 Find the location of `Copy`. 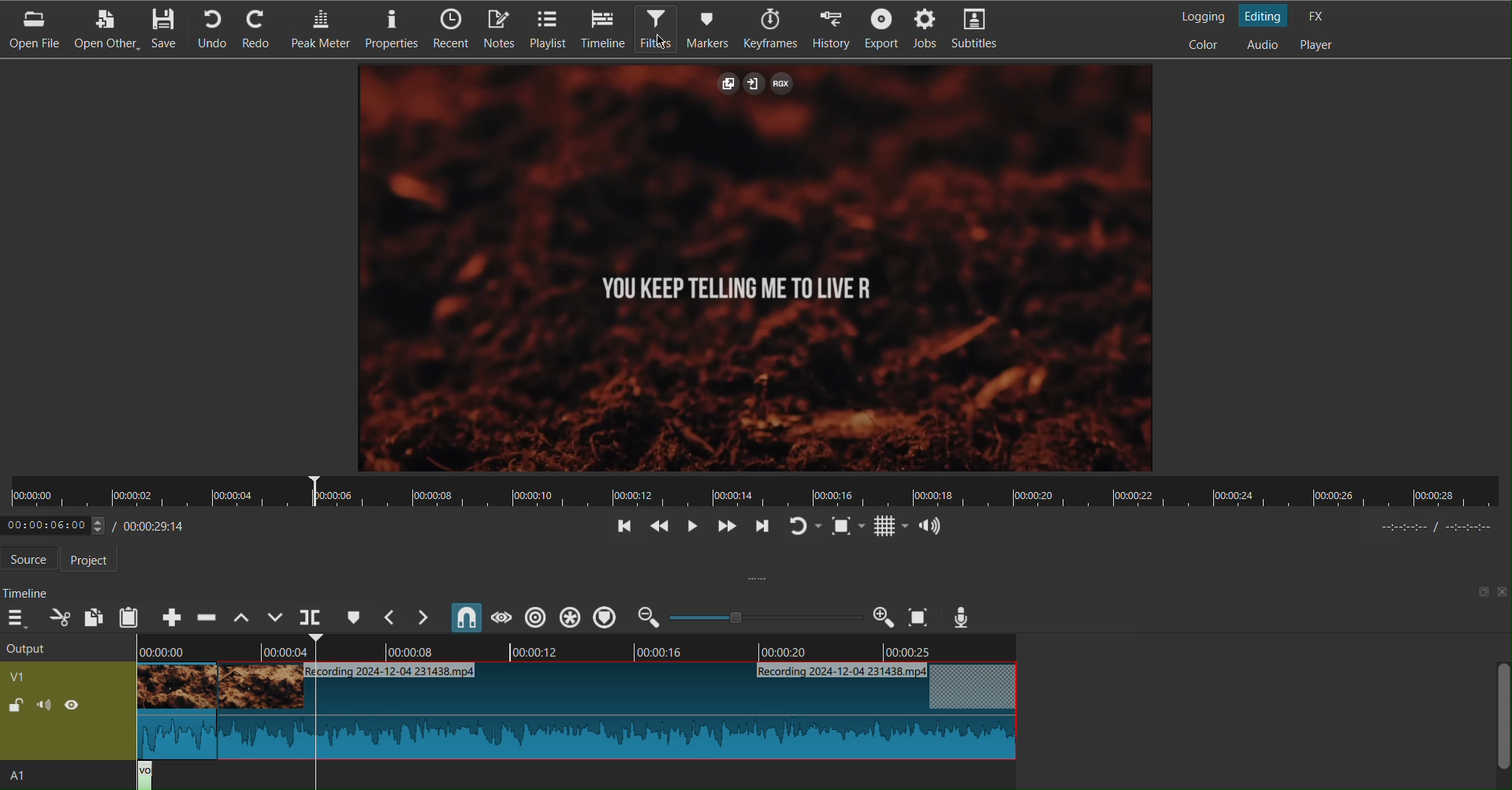

Copy is located at coordinates (93, 616).